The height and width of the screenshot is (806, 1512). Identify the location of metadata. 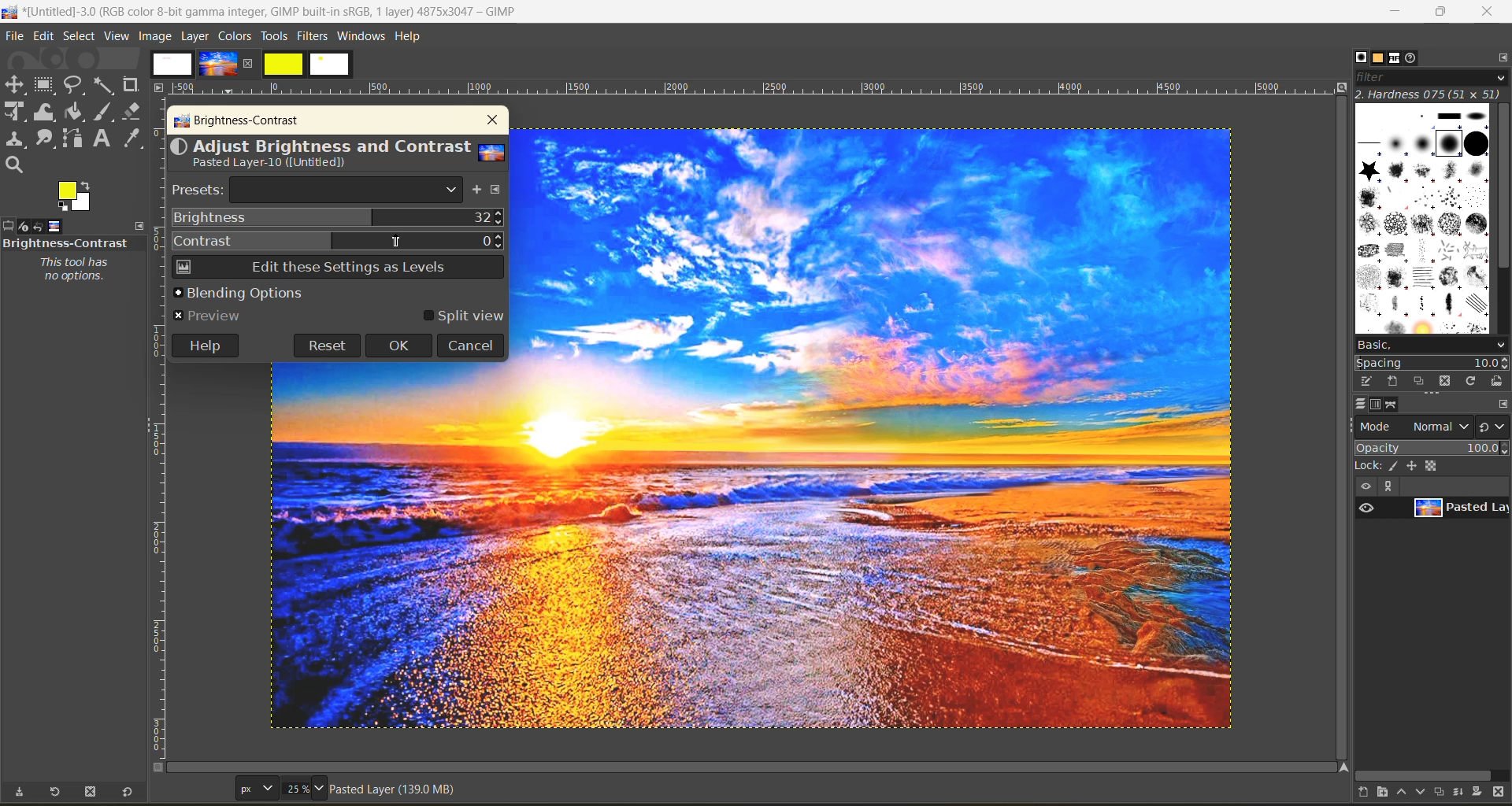
(396, 792).